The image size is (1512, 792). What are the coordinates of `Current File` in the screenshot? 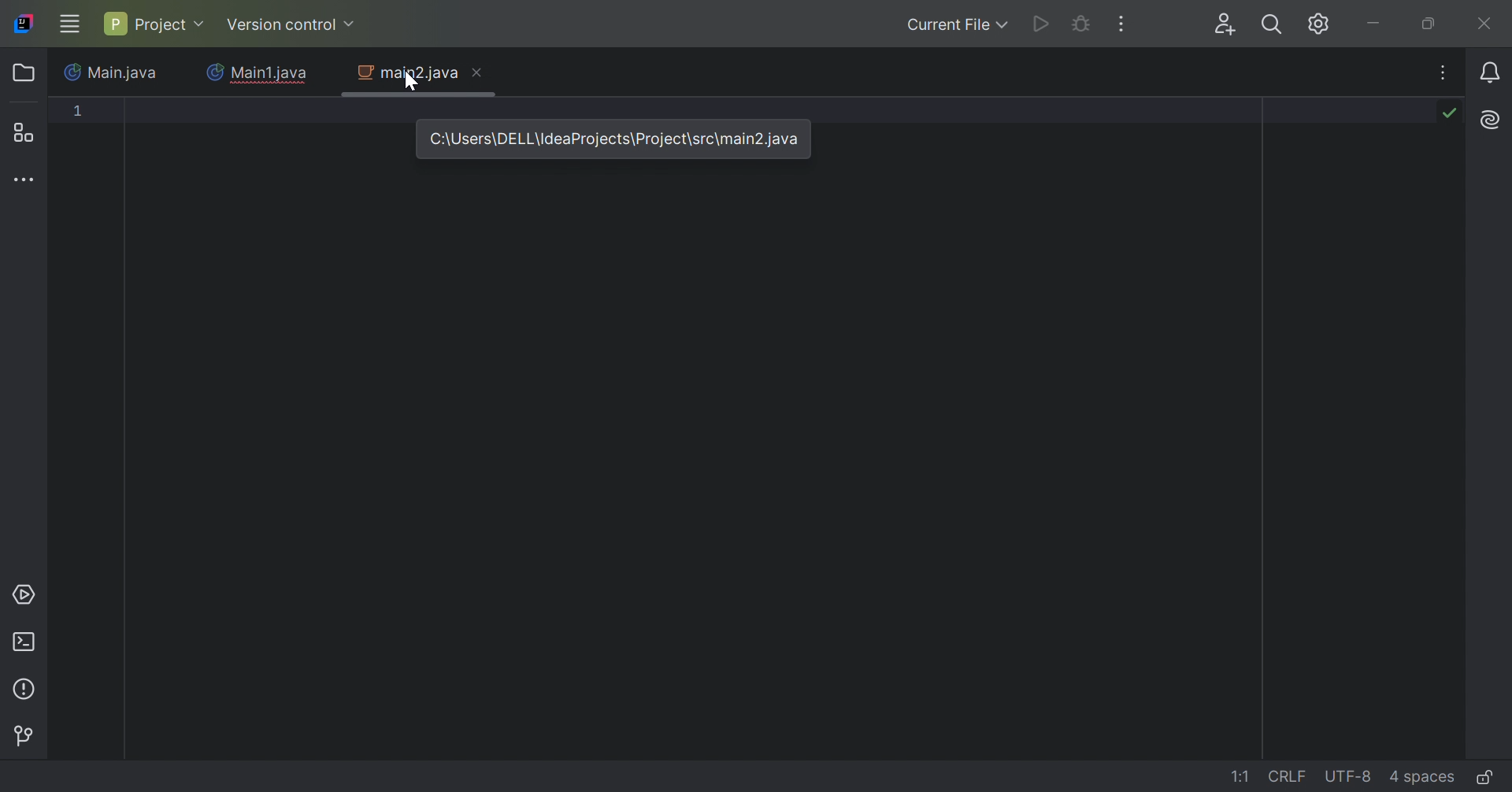 It's located at (957, 25).